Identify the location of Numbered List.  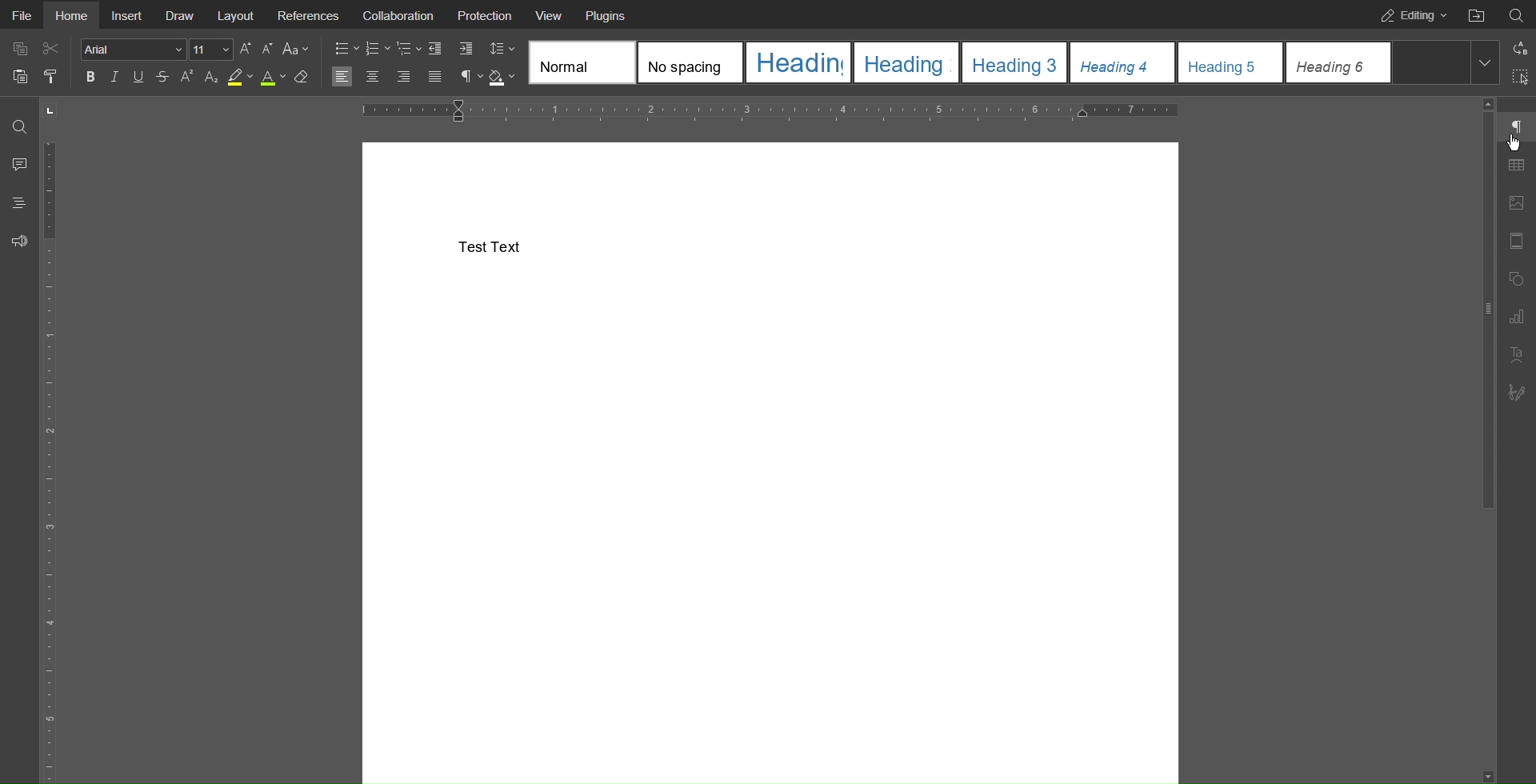
(377, 50).